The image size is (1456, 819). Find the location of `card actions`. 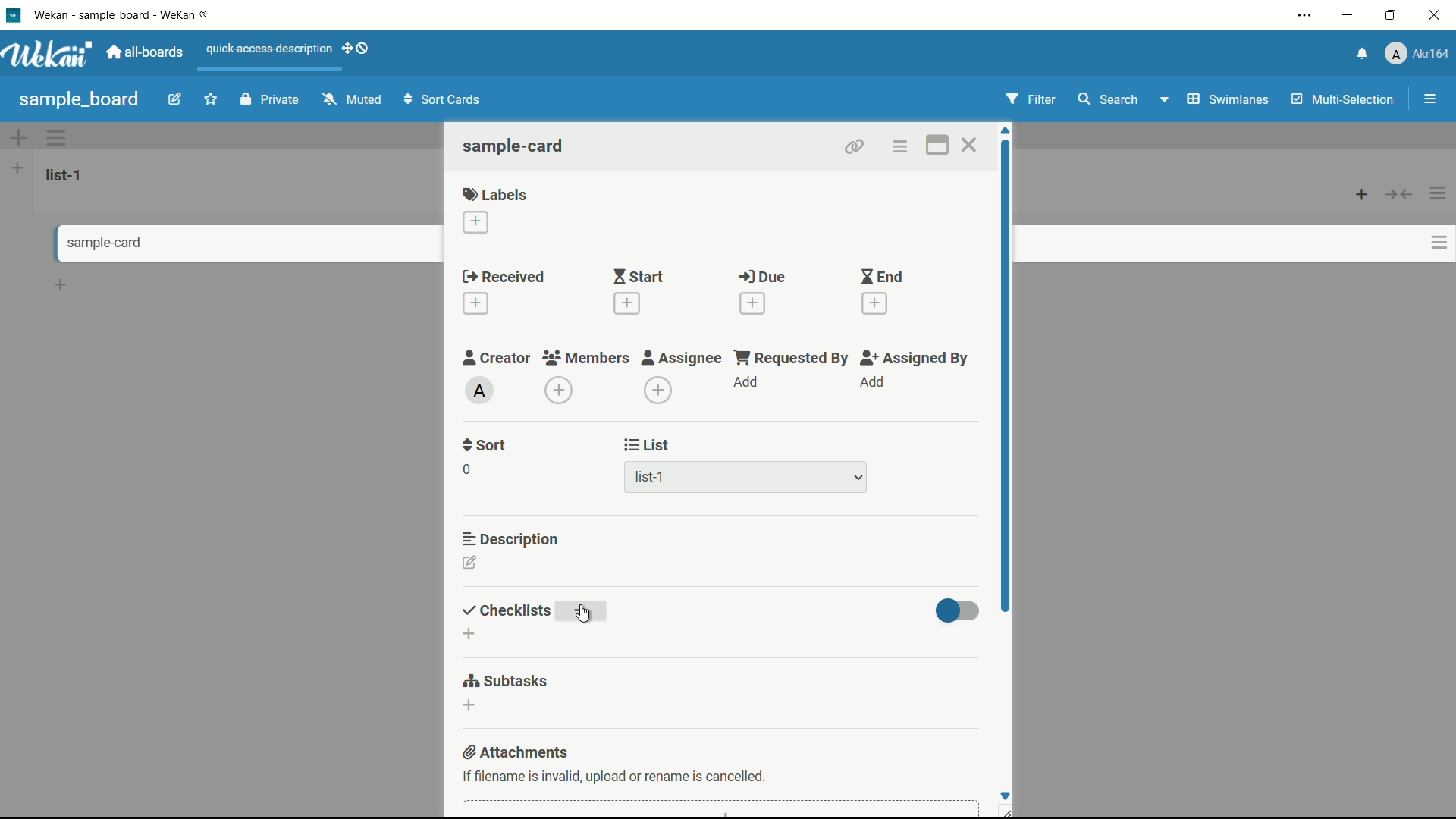

card actions is located at coordinates (899, 147).